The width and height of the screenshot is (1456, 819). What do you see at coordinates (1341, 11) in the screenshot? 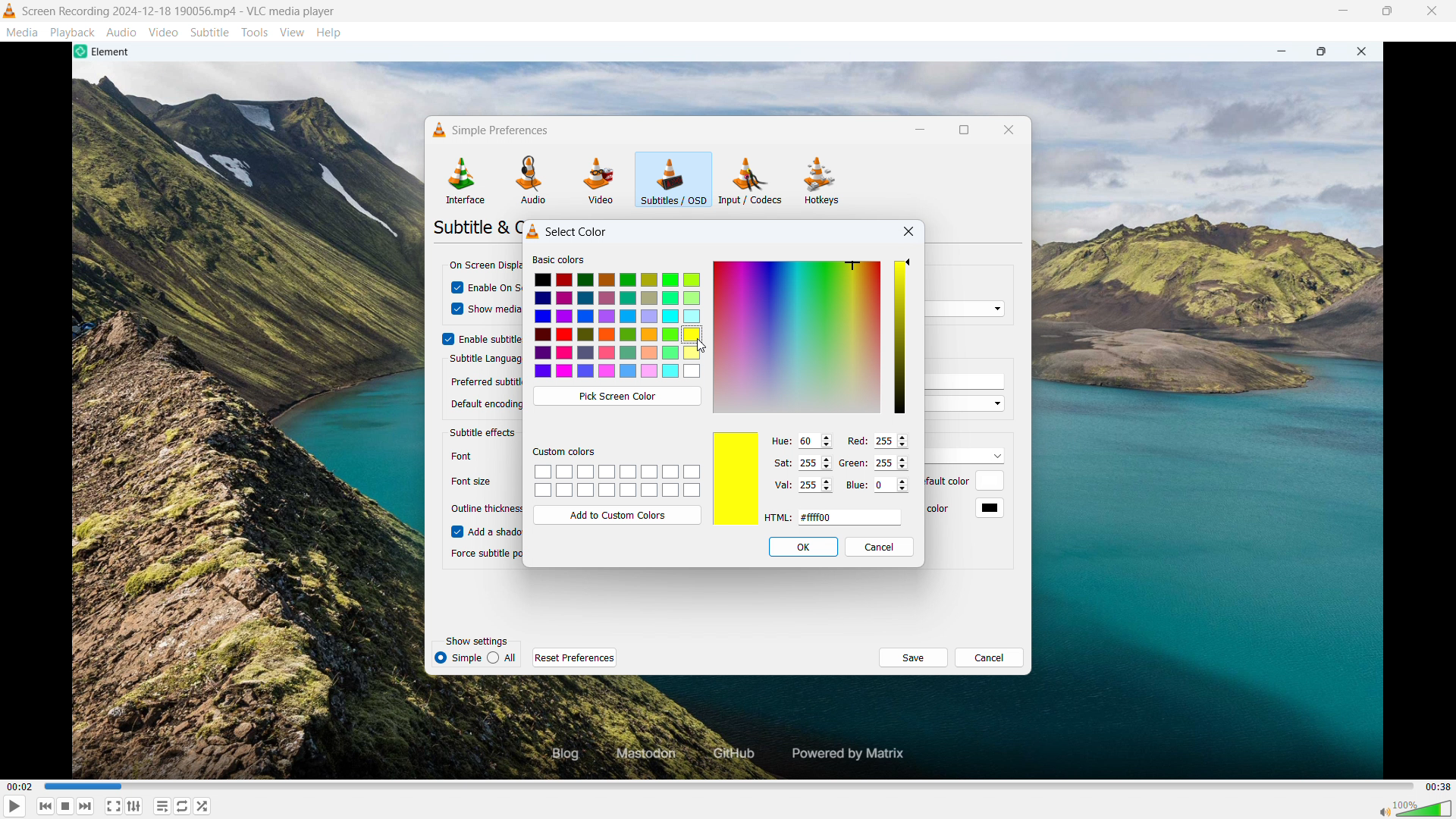
I see `minimise ` at bounding box center [1341, 11].